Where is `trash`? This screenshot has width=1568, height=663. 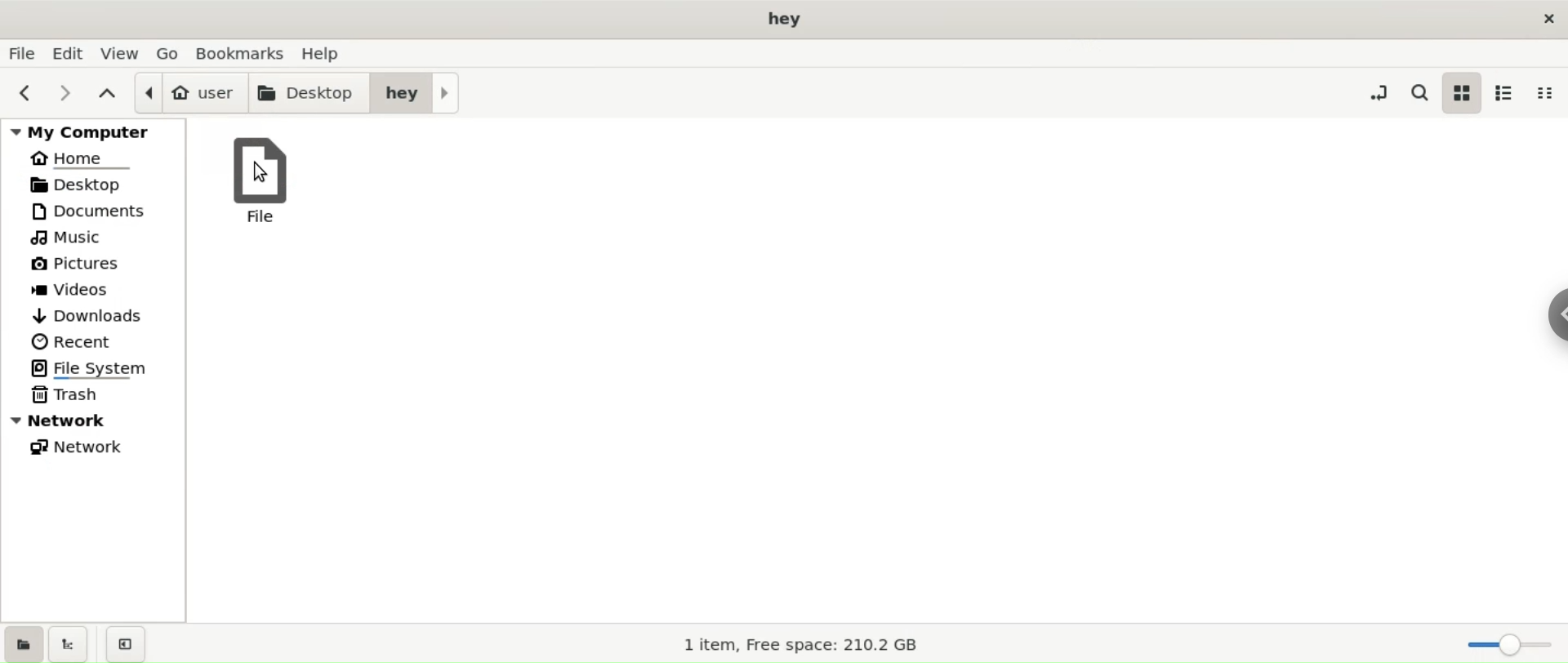
trash is located at coordinates (94, 396).